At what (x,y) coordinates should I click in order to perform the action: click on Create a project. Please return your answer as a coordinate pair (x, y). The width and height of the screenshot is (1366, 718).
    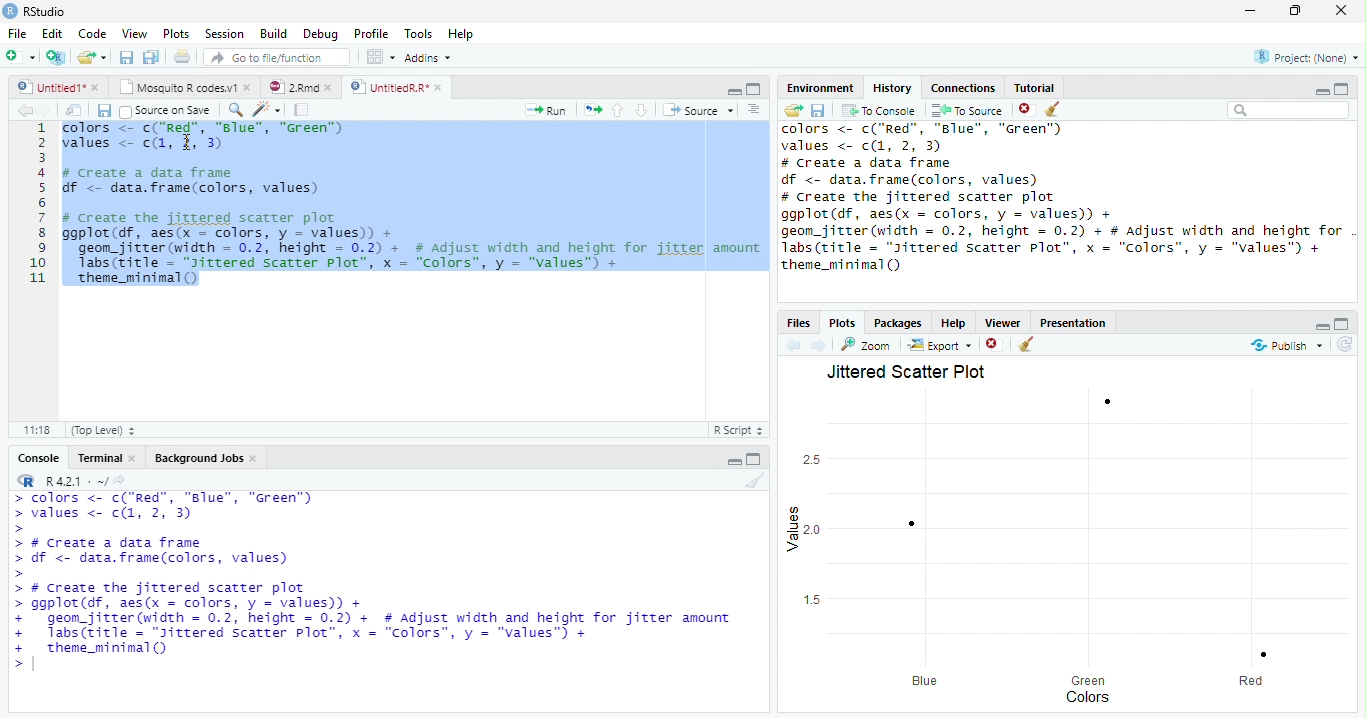
    Looking at the image, I should click on (55, 57).